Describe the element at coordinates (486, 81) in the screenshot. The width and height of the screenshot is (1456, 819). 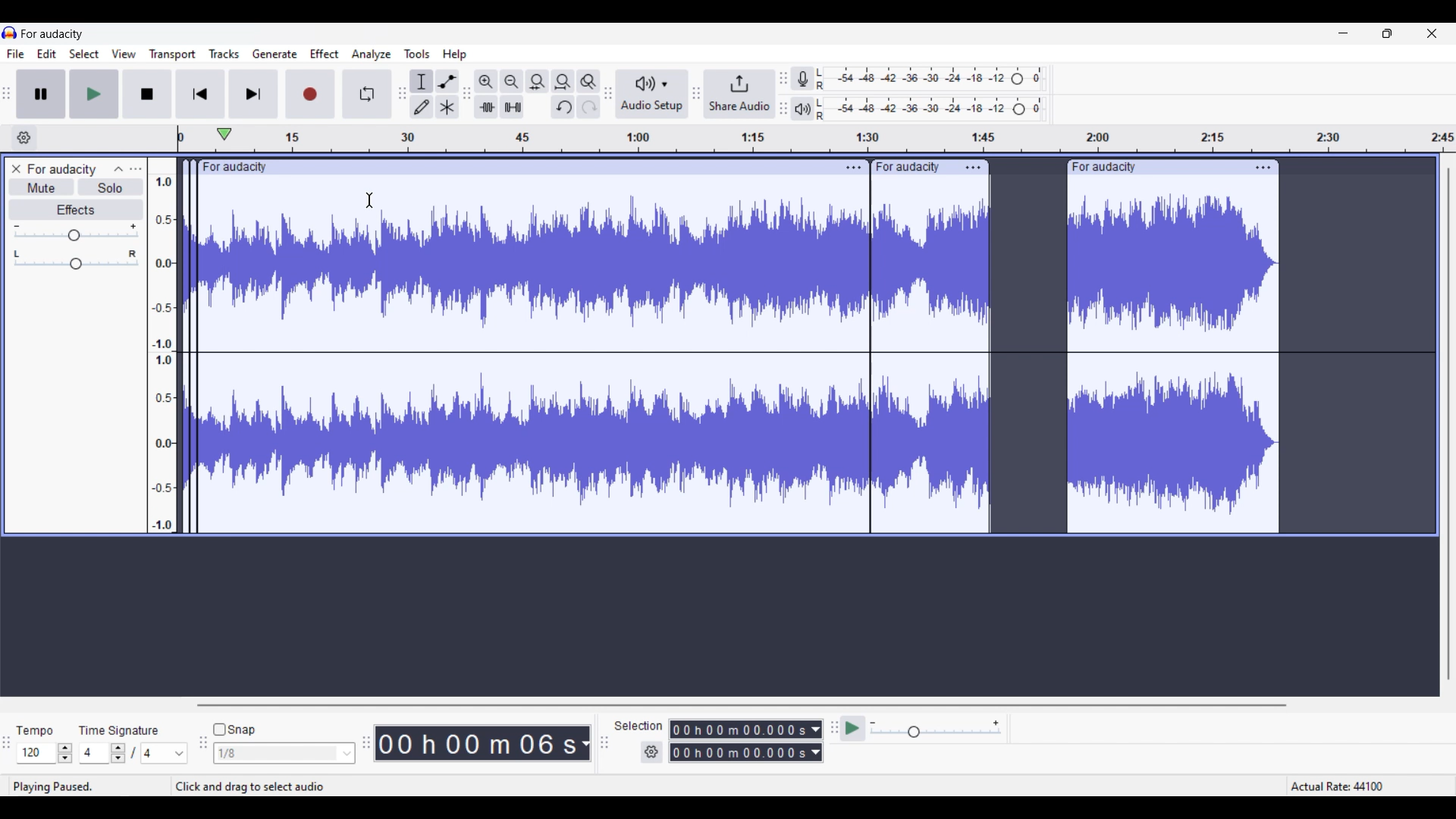
I see `zoom in` at that location.